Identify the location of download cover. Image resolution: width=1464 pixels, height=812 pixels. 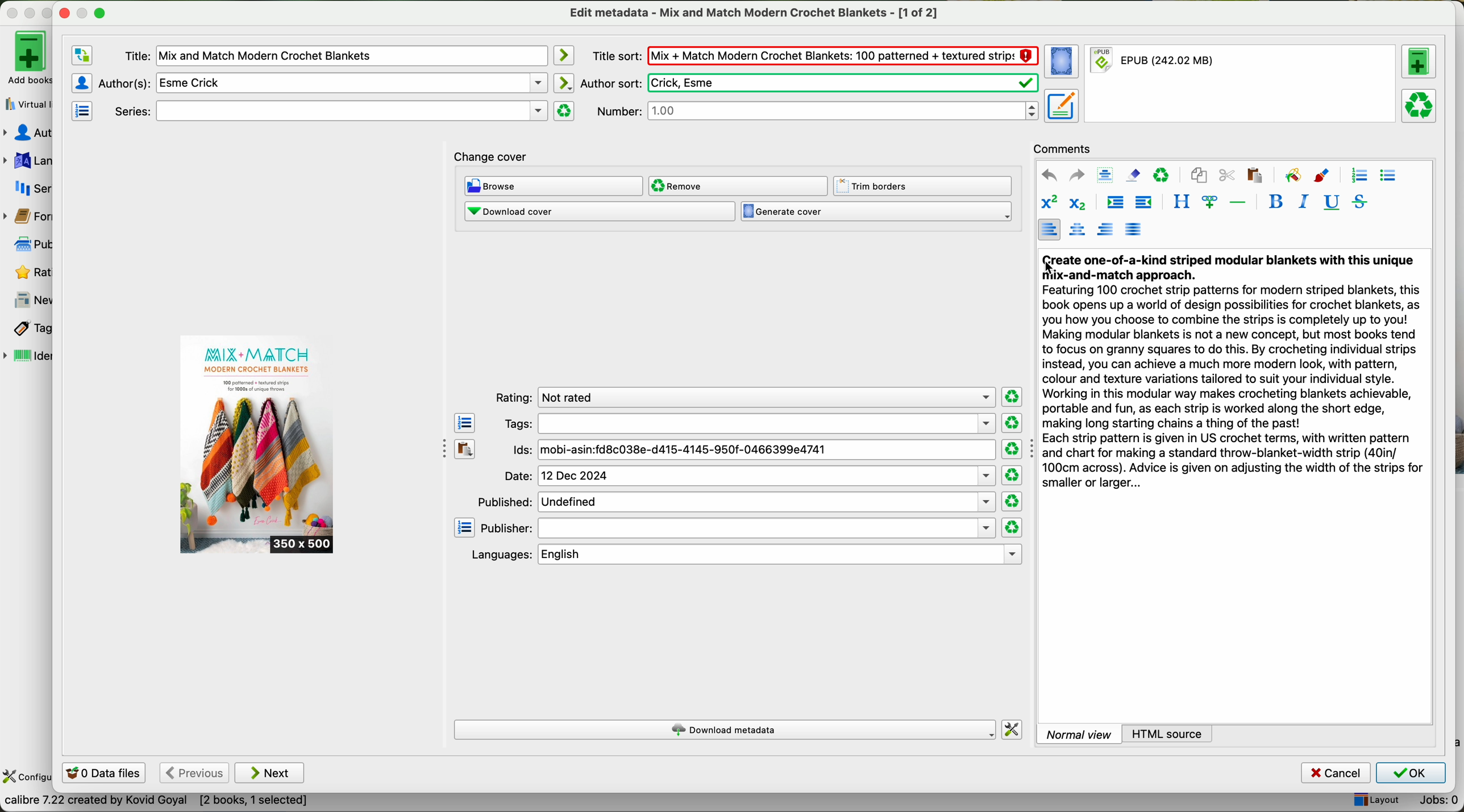
(599, 211).